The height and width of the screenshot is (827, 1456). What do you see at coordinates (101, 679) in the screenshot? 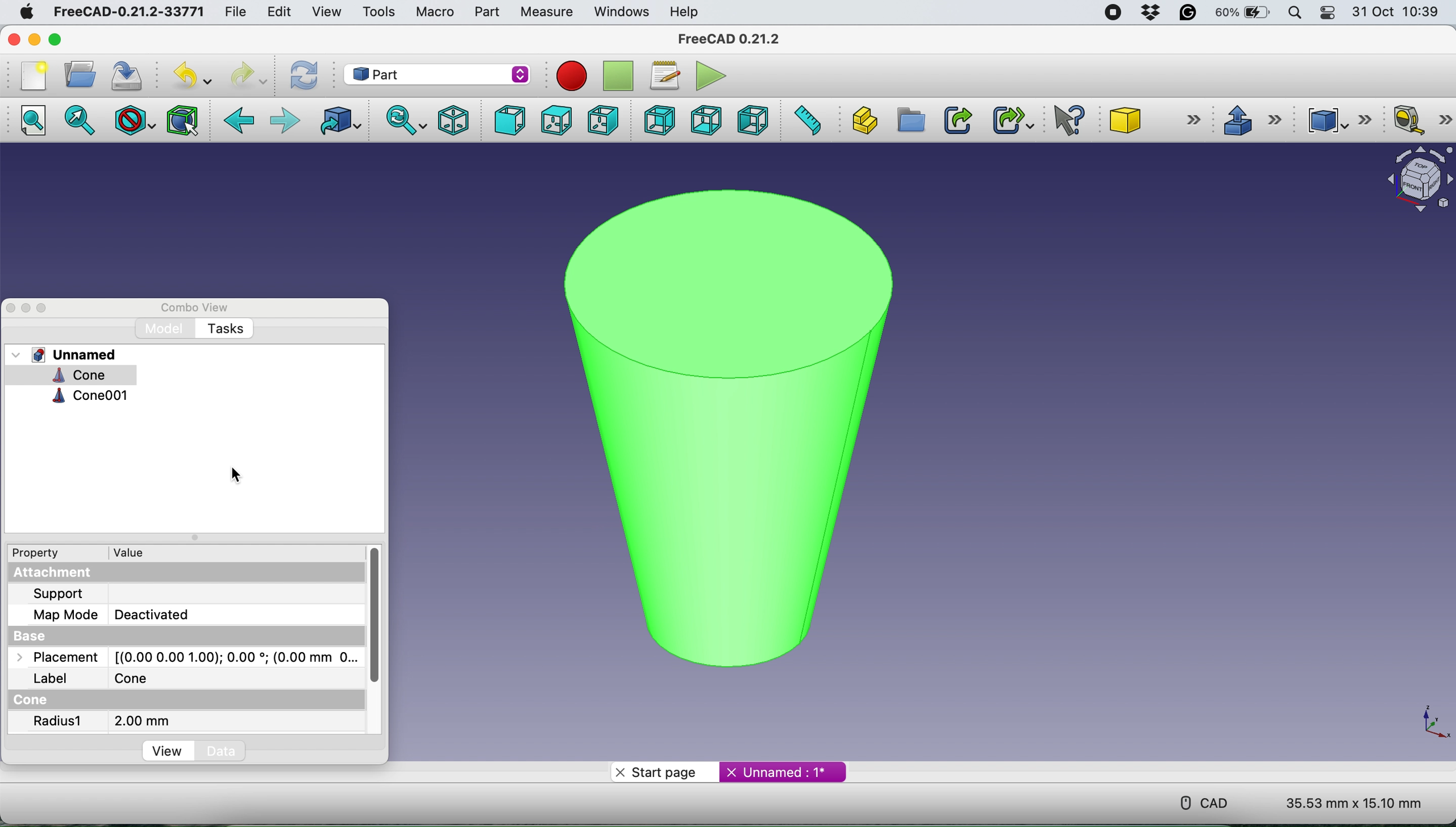
I see `label: Cone` at bounding box center [101, 679].